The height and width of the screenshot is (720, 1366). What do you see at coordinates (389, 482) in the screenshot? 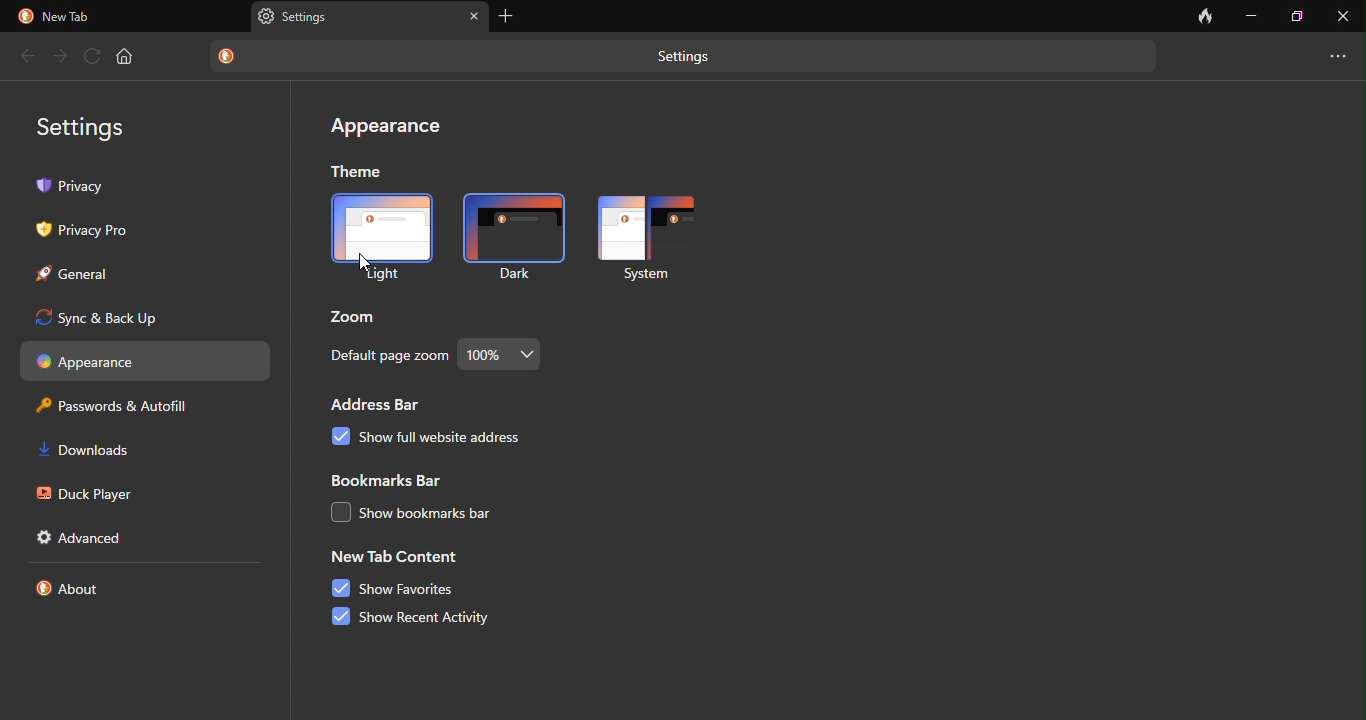
I see `bookmarks bar` at bounding box center [389, 482].